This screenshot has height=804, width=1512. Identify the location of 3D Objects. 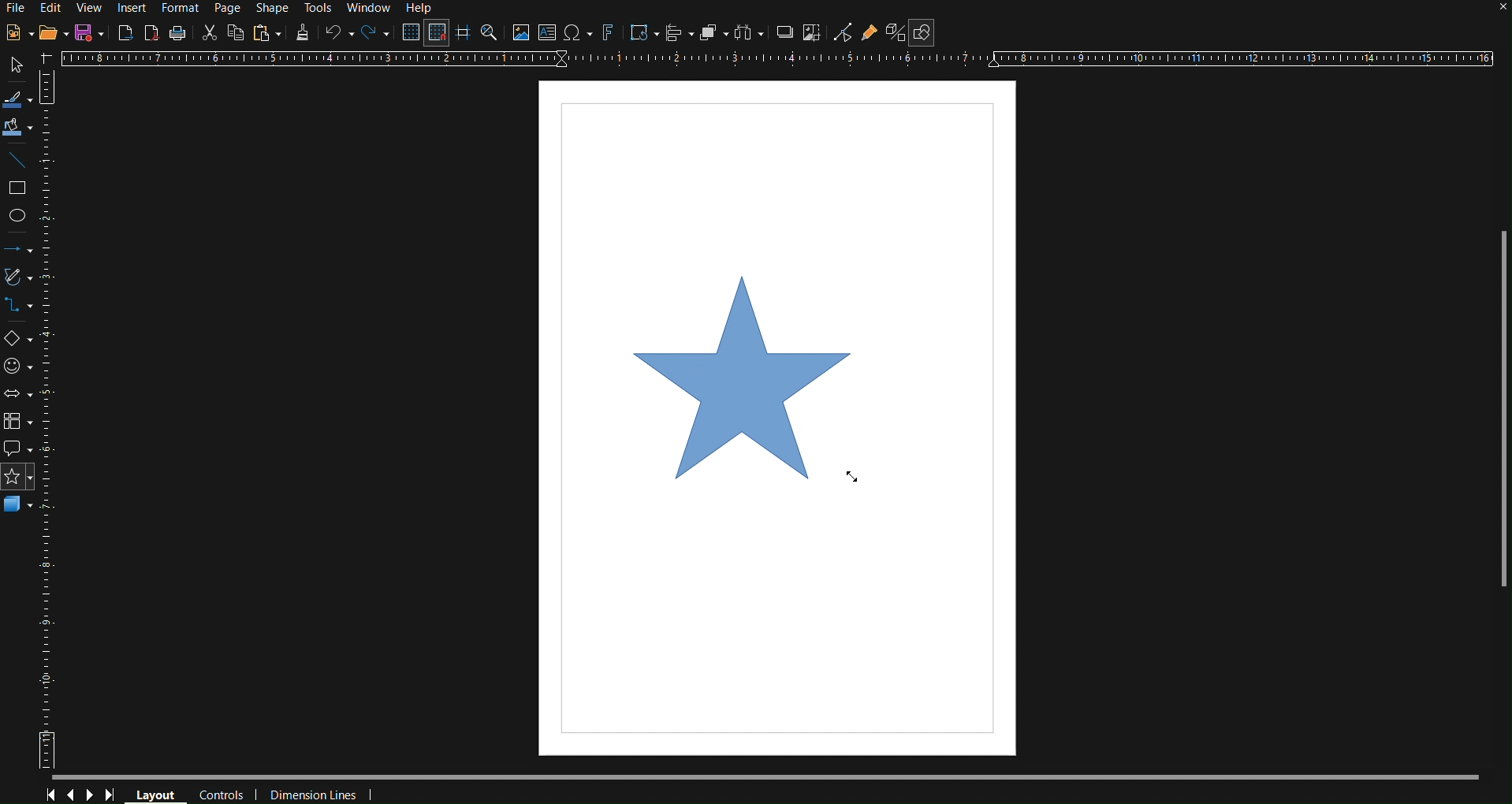
(19, 509).